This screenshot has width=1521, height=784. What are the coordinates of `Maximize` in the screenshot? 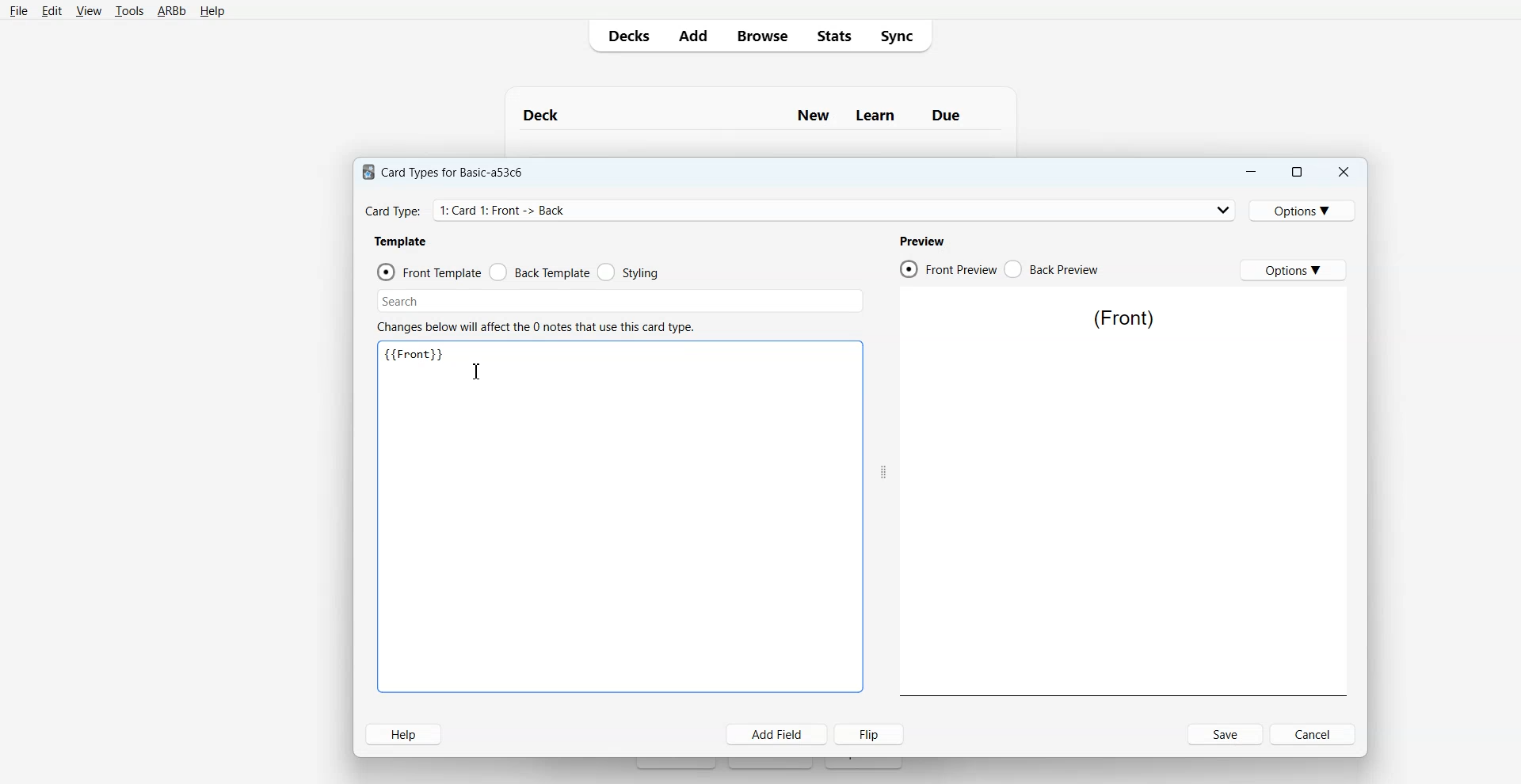 It's located at (1295, 172).